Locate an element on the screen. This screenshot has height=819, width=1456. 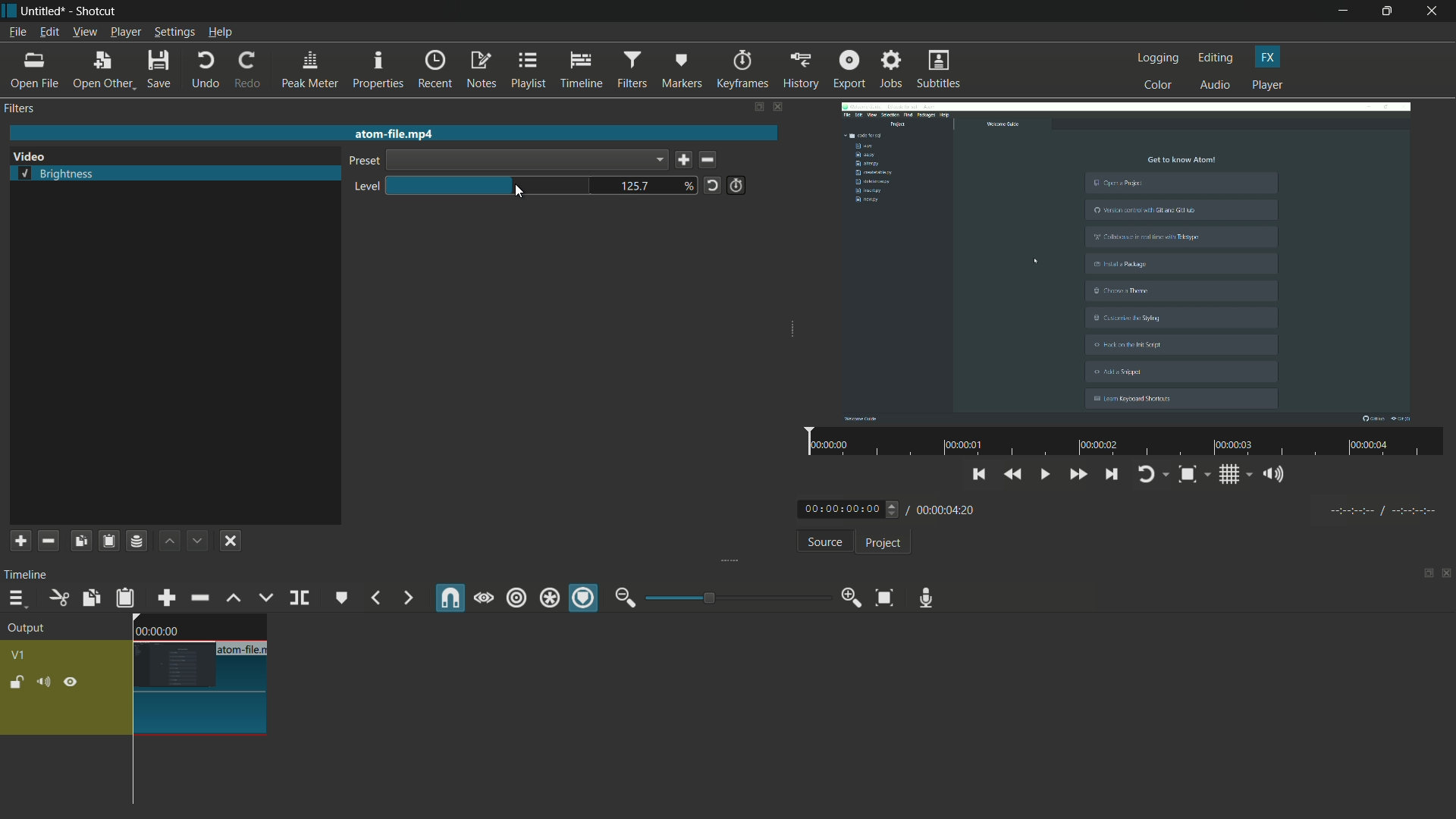
close panel is located at coordinates (1447, 575).